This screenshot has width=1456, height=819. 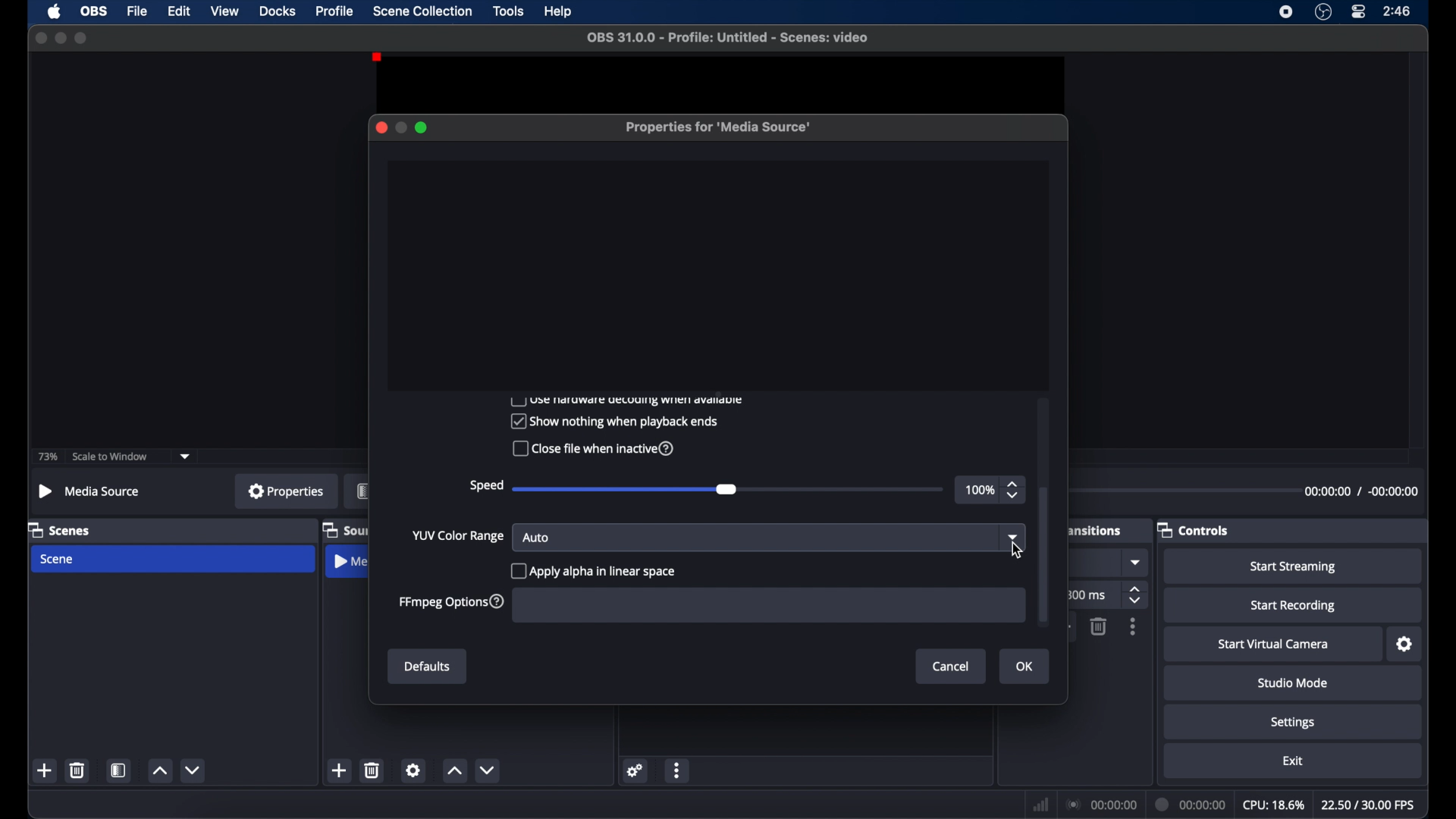 What do you see at coordinates (1040, 805) in the screenshot?
I see `network` at bounding box center [1040, 805].